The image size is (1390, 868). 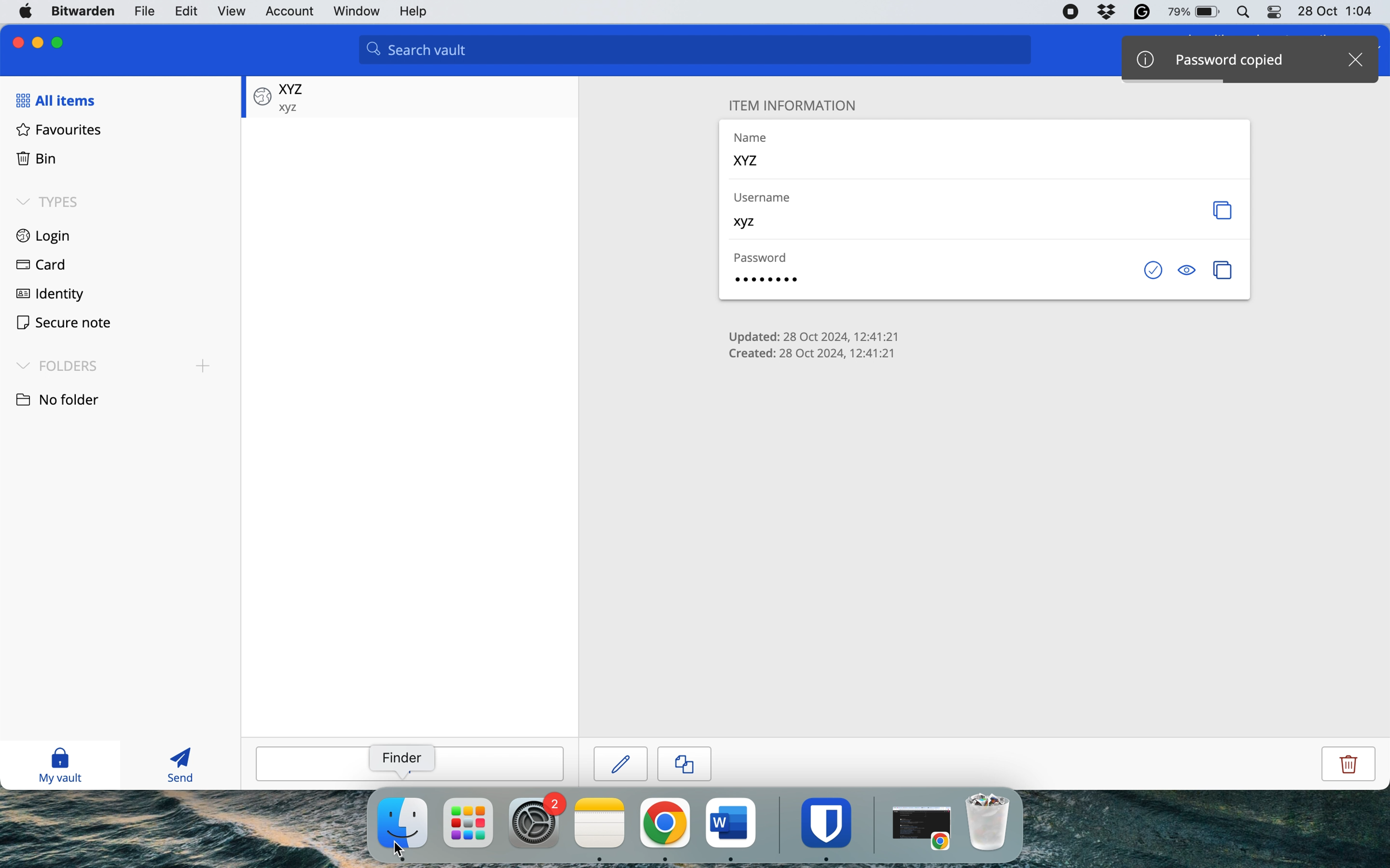 What do you see at coordinates (55, 100) in the screenshot?
I see `all items` at bounding box center [55, 100].